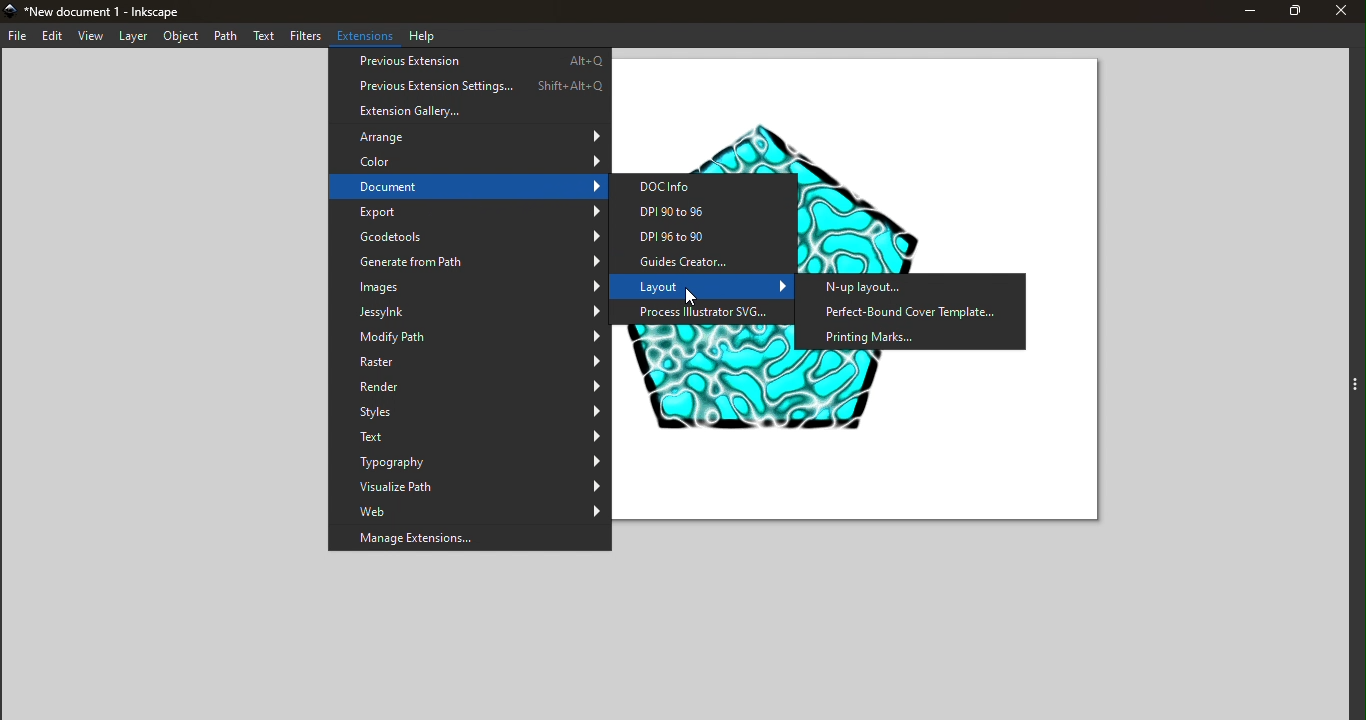 This screenshot has width=1366, height=720. What do you see at coordinates (53, 37) in the screenshot?
I see `Edit` at bounding box center [53, 37].